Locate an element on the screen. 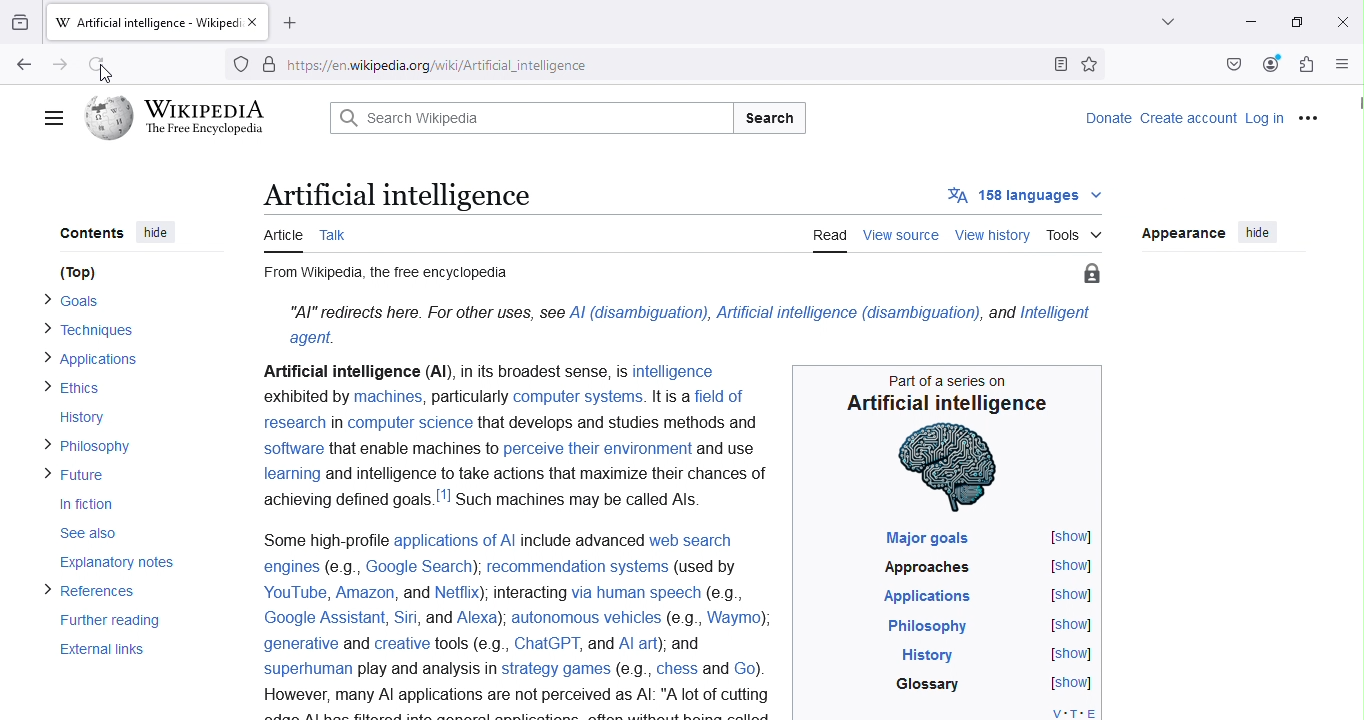 The width and height of the screenshot is (1364, 720). Artificial intelligence is located at coordinates (407, 194).